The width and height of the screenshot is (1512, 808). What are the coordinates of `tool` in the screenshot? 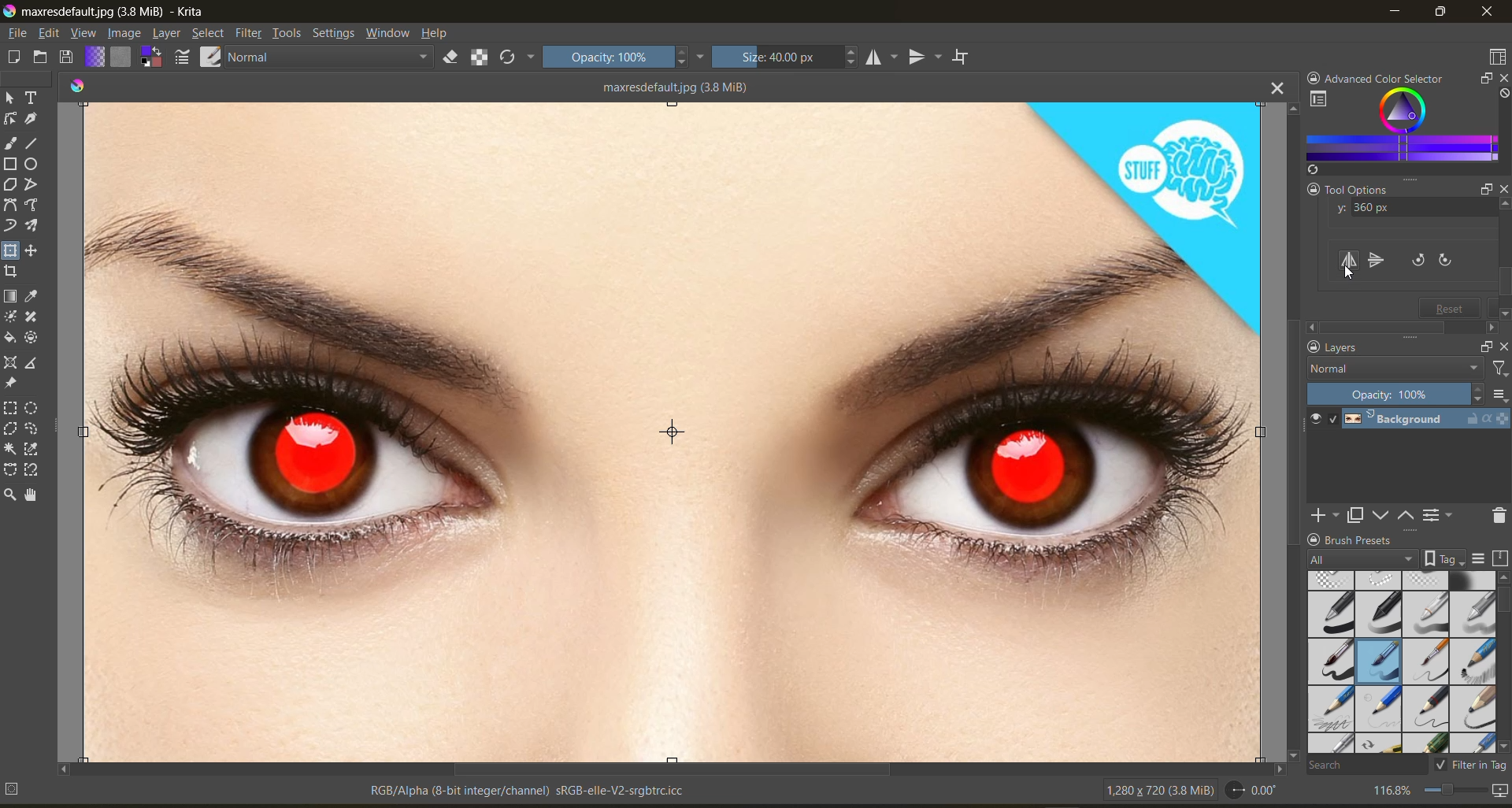 It's located at (31, 410).